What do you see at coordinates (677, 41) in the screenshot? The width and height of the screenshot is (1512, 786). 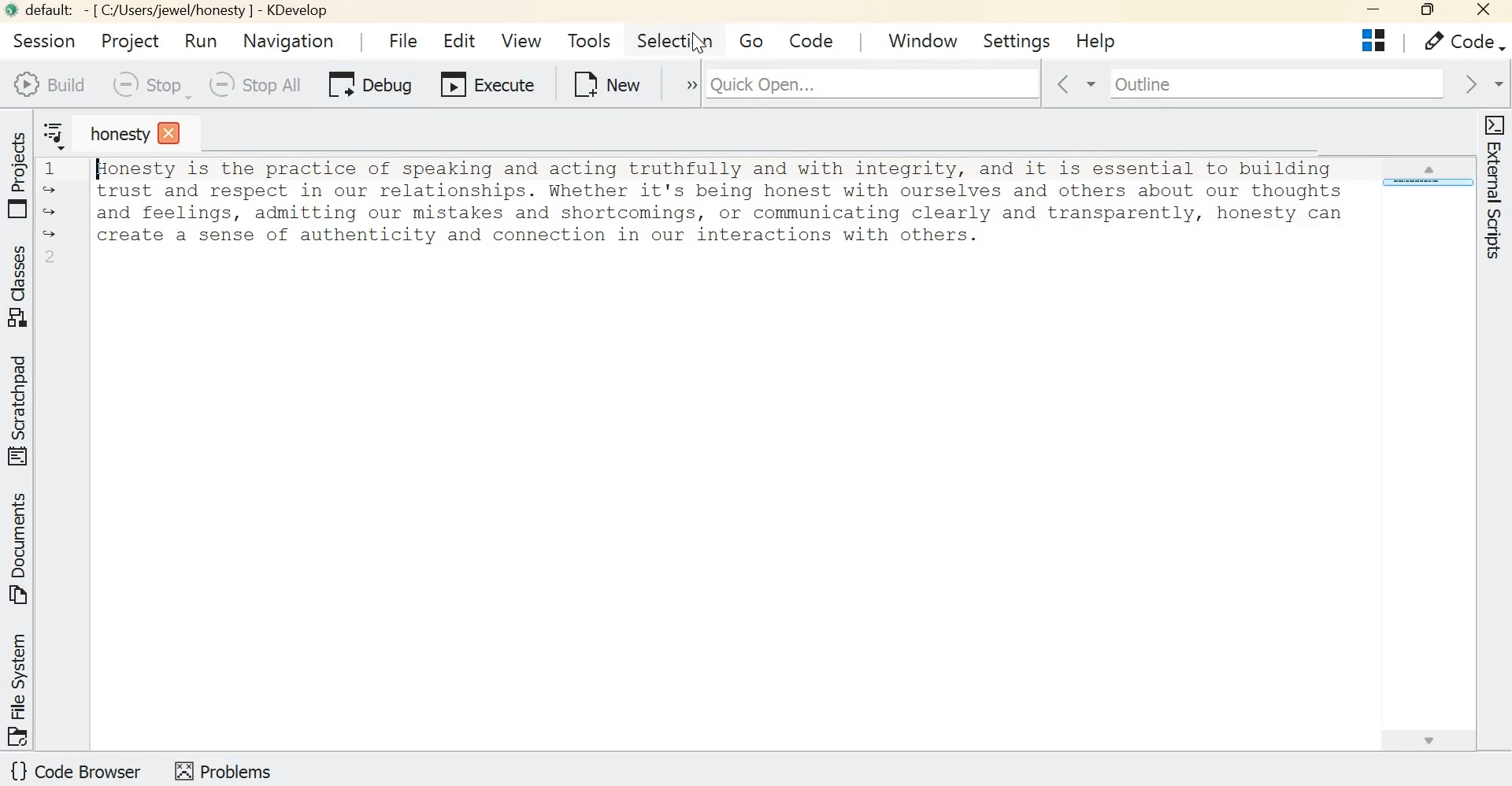 I see `Selection` at bounding box center [677, 41].